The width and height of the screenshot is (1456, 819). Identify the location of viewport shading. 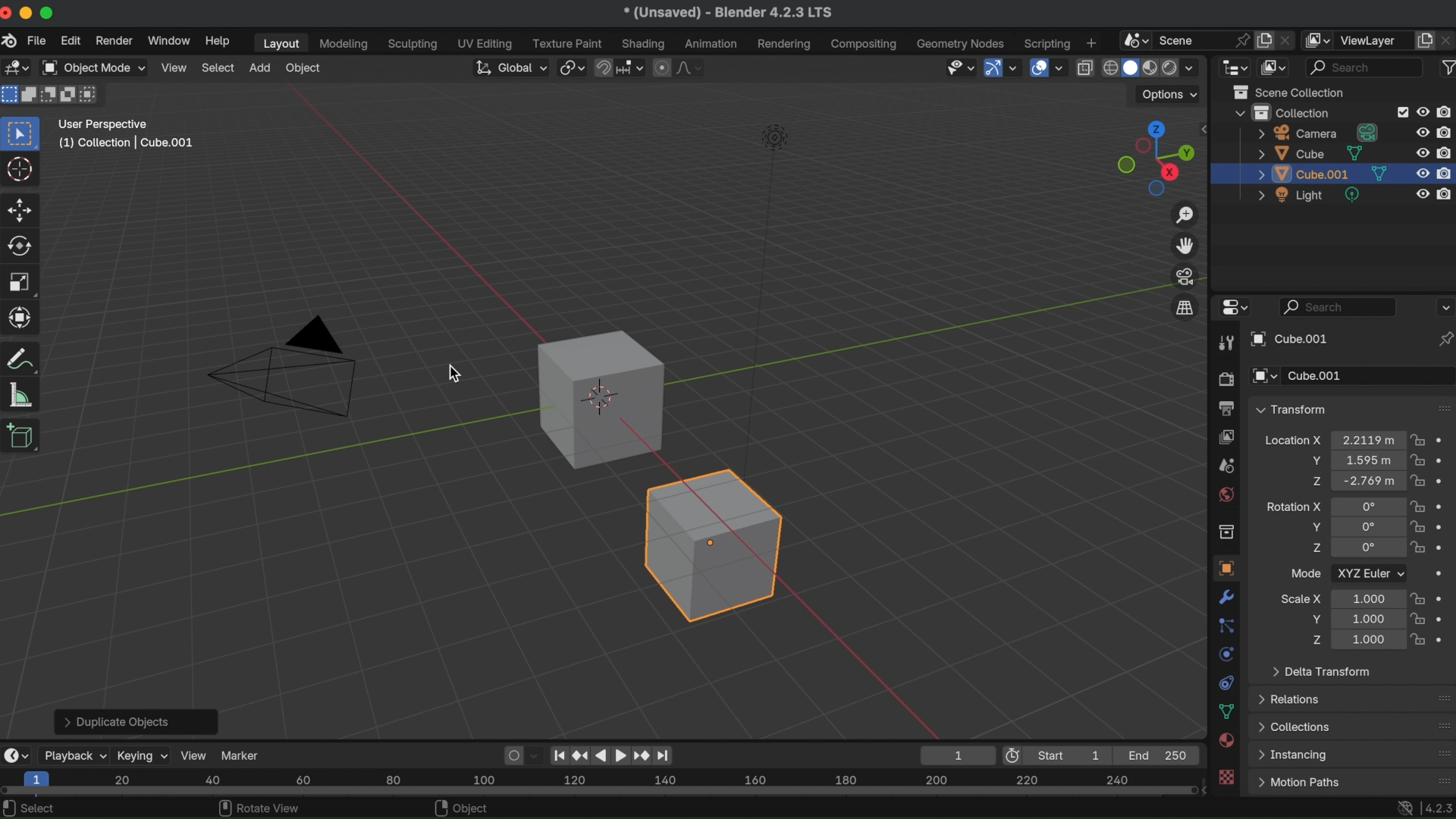
(1169, 69).